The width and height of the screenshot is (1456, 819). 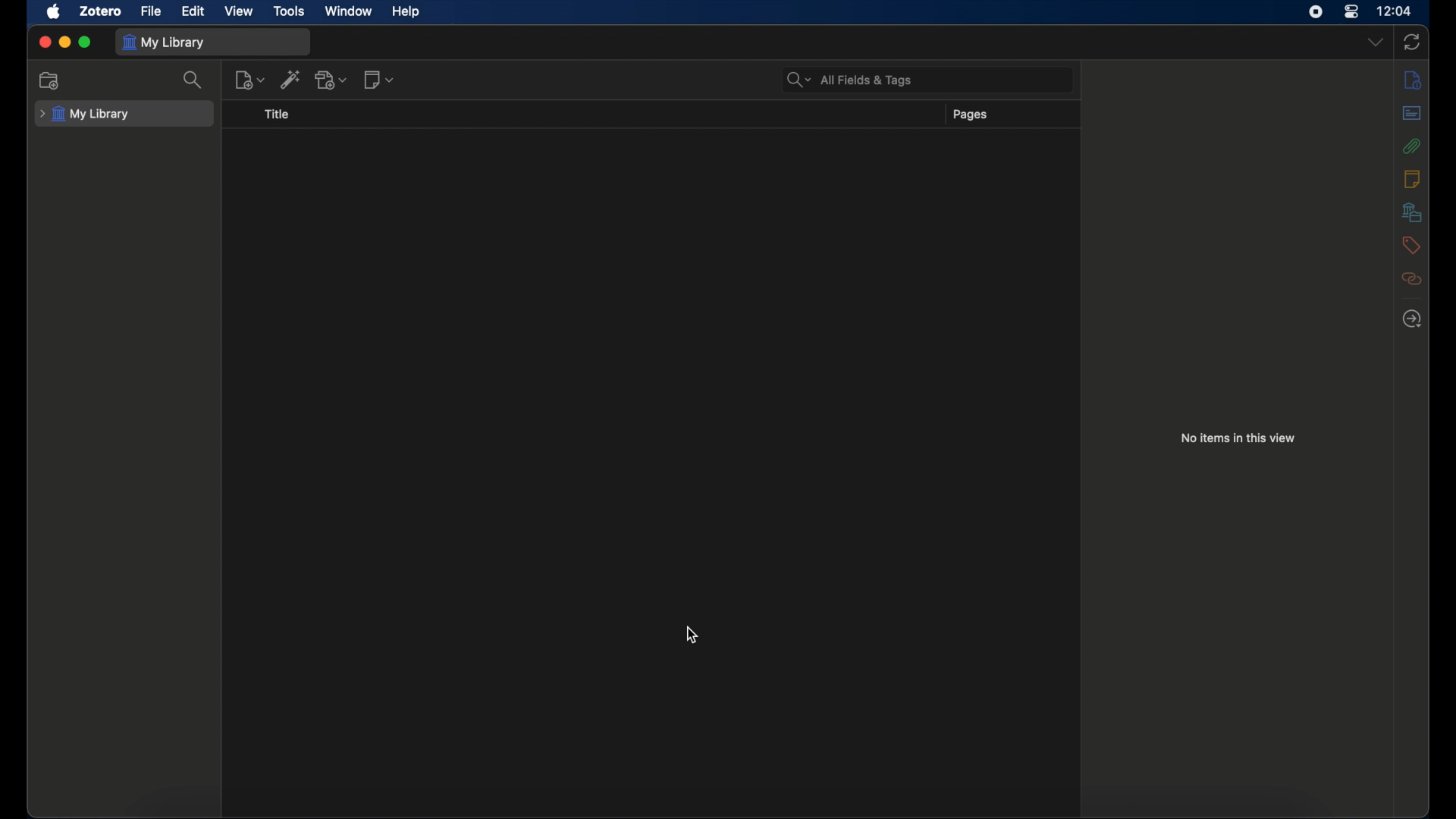 I want to click on new collection, so click(x=50, y=80).